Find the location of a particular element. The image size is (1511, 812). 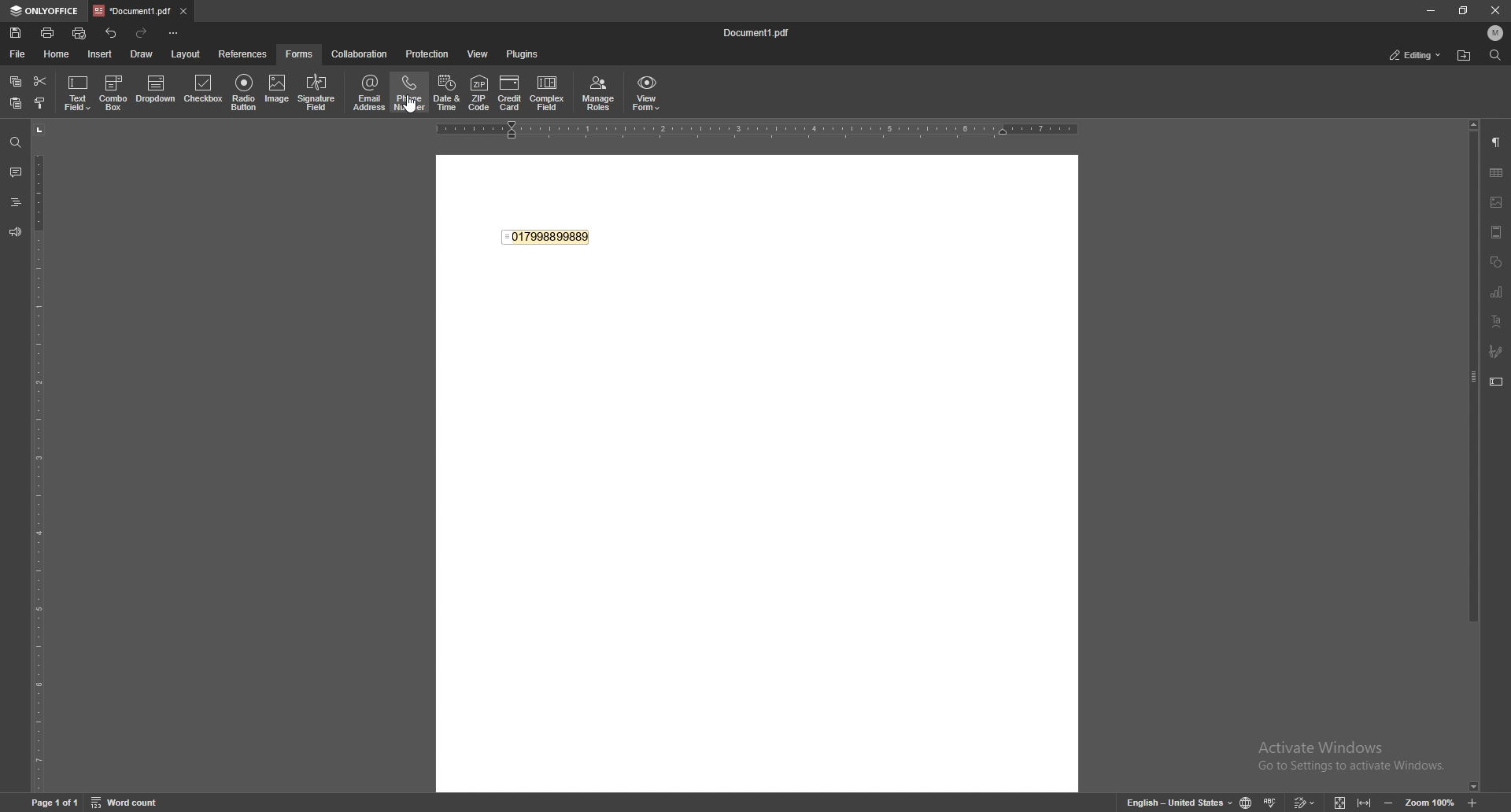

track changes is located at coordinates (1306, 803).